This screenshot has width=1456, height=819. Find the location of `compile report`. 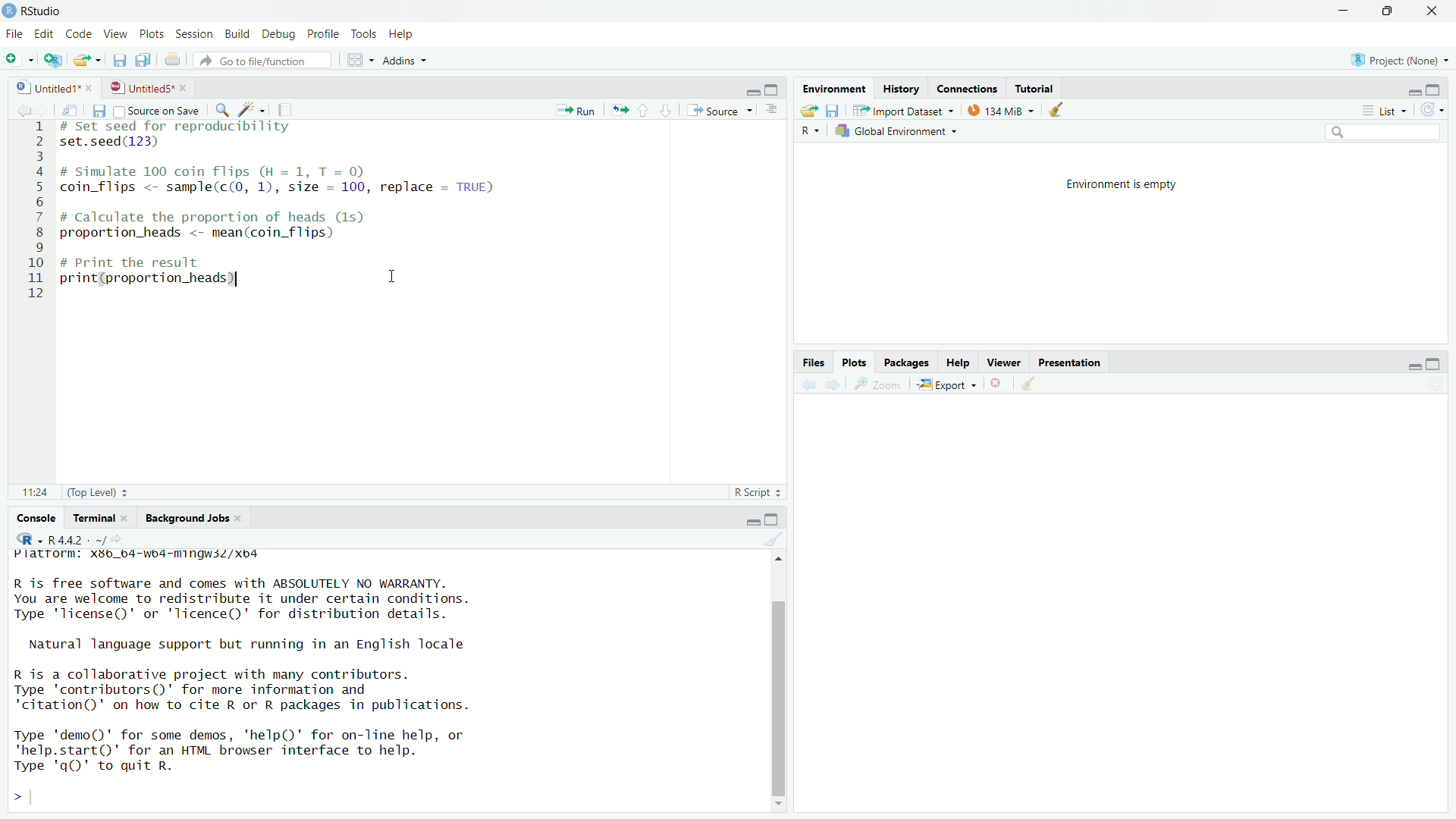

compile report is located at coordinates (293, 108).